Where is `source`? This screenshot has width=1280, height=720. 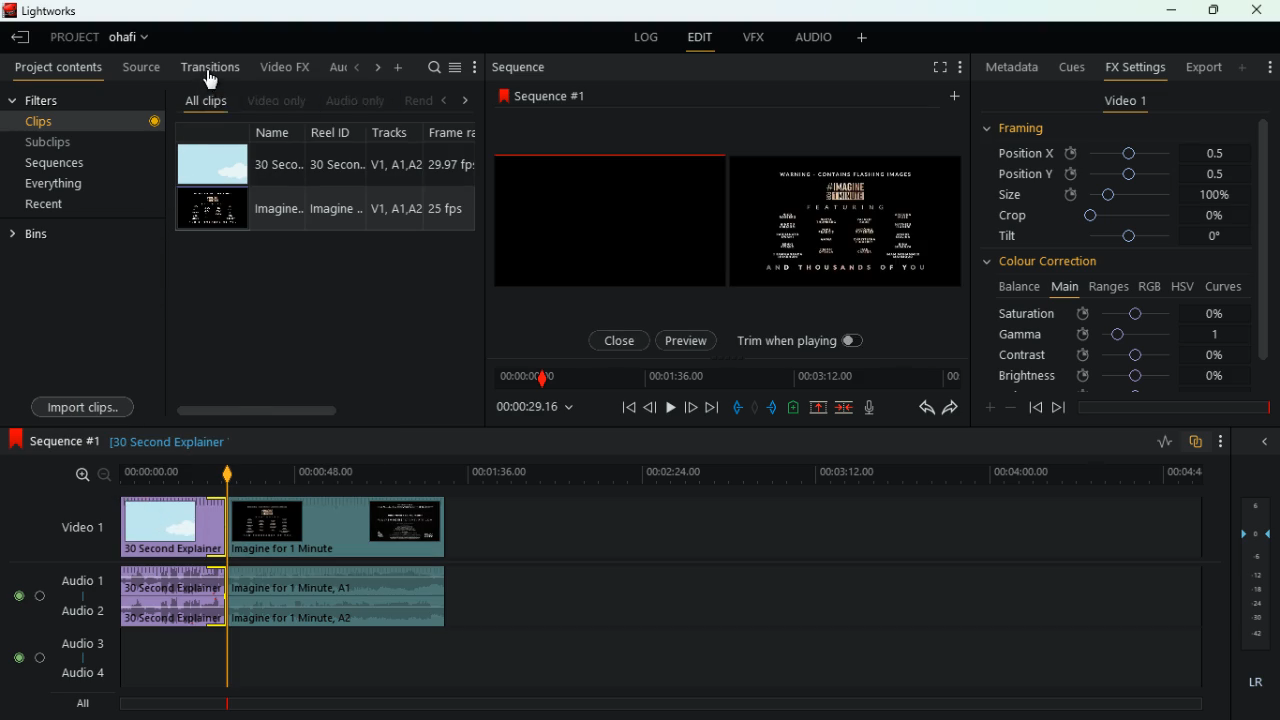 source is located at coordinates (143, 69).